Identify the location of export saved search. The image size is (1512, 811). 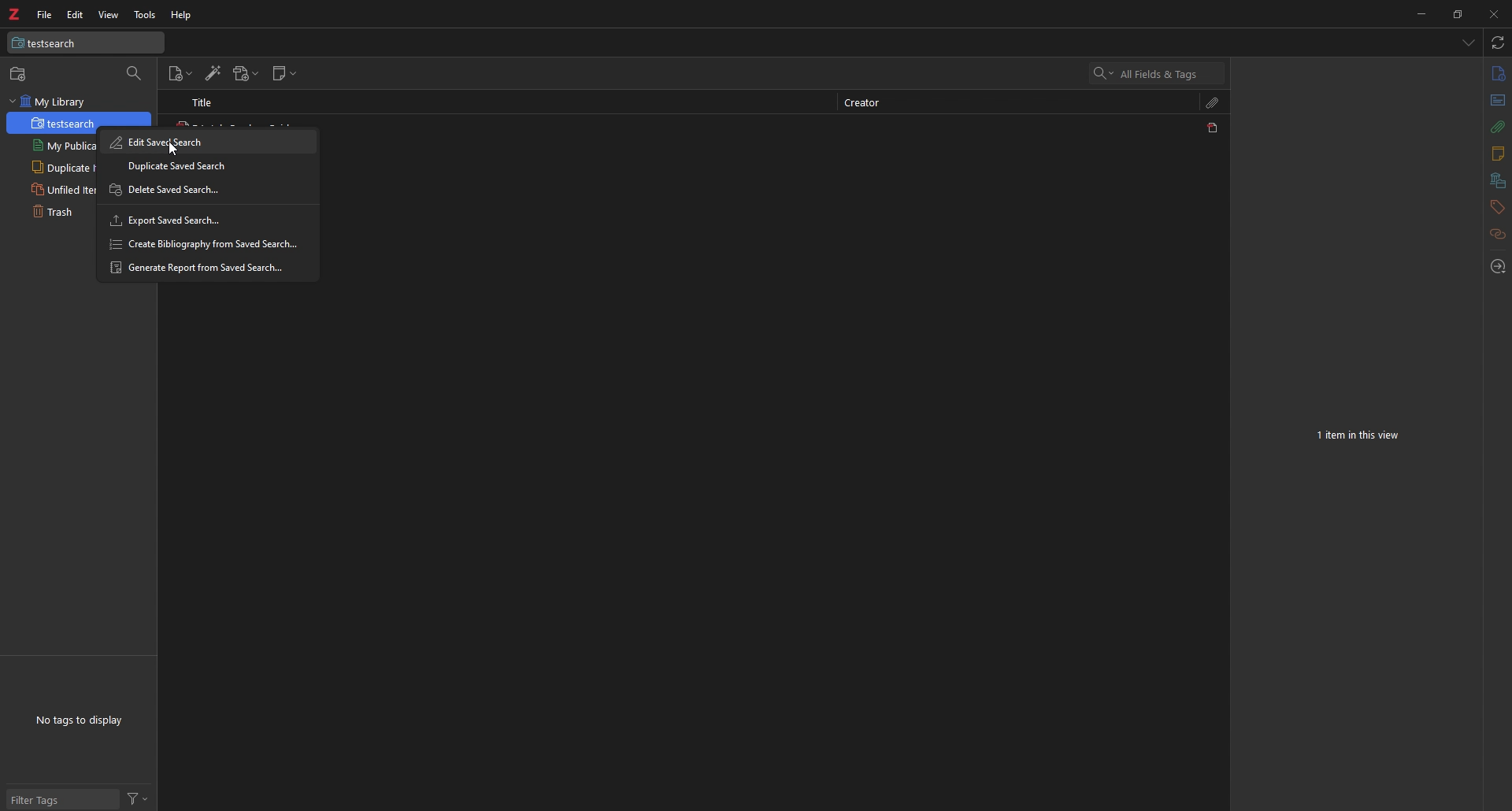
(206, 220).